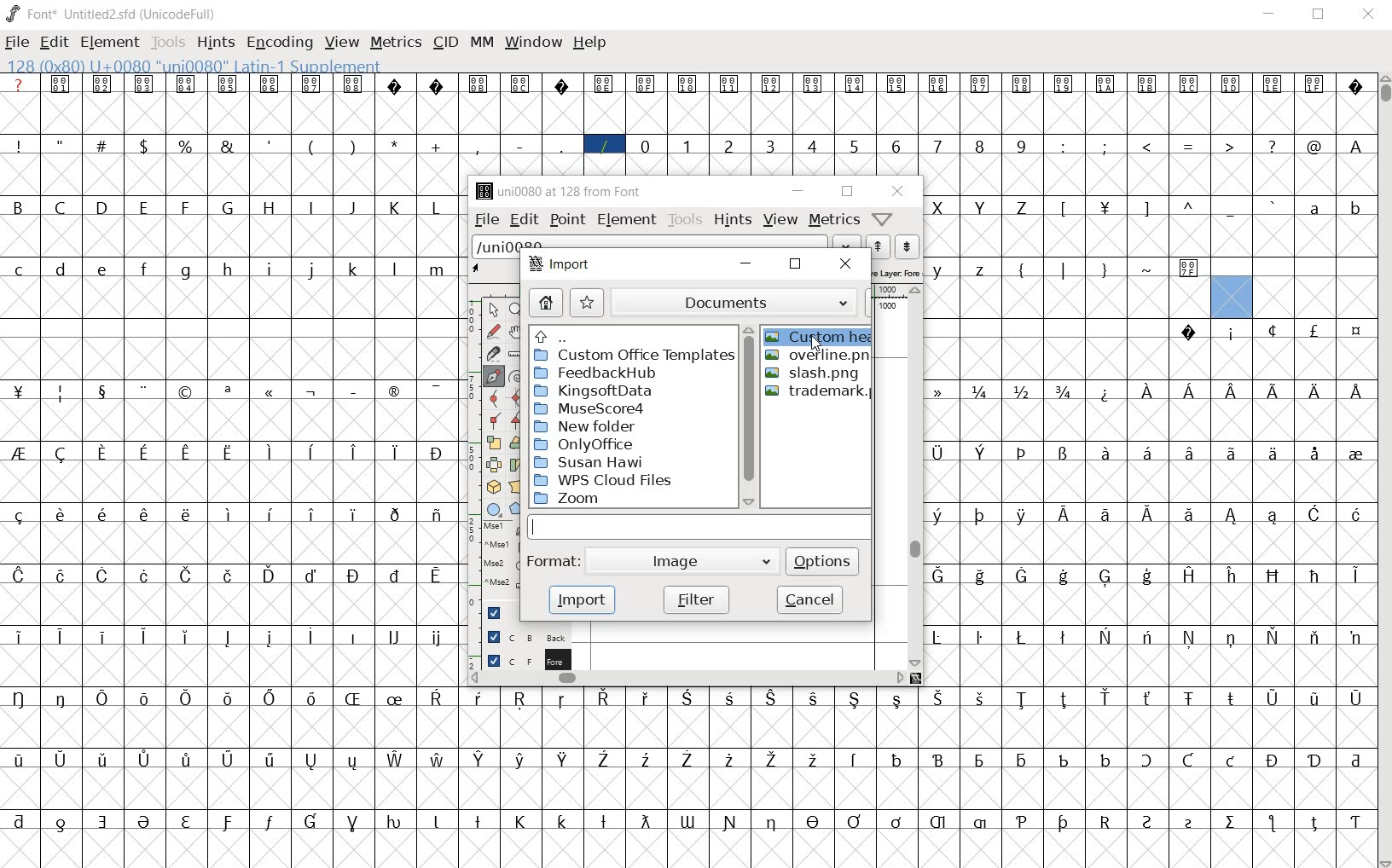 The width and height of the screenshot is (1392, 868). I want to click on glyph, so click(143, 454).